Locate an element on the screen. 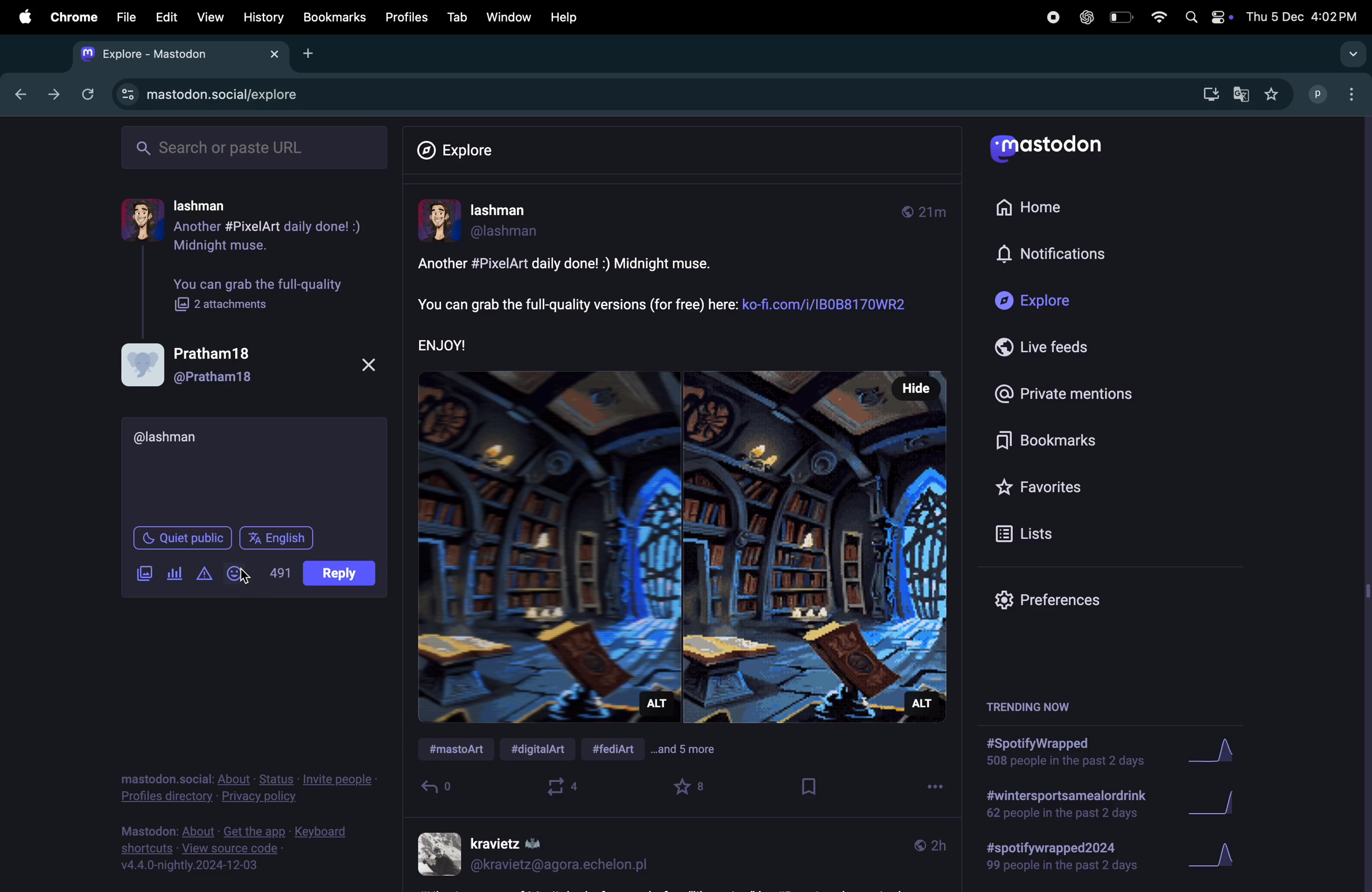  # fed art is located at coordinates (620, 747).